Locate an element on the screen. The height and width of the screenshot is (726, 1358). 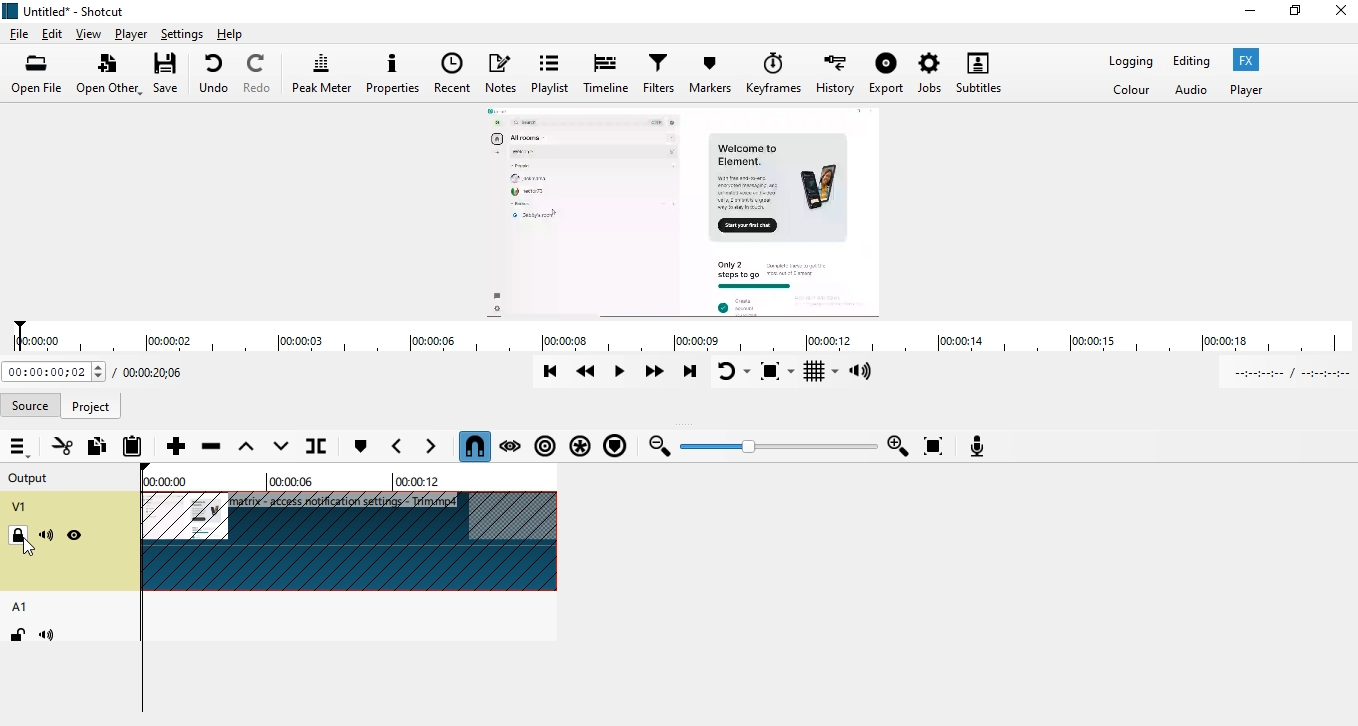
ripple all tracks is located at coordinates (581, 447).